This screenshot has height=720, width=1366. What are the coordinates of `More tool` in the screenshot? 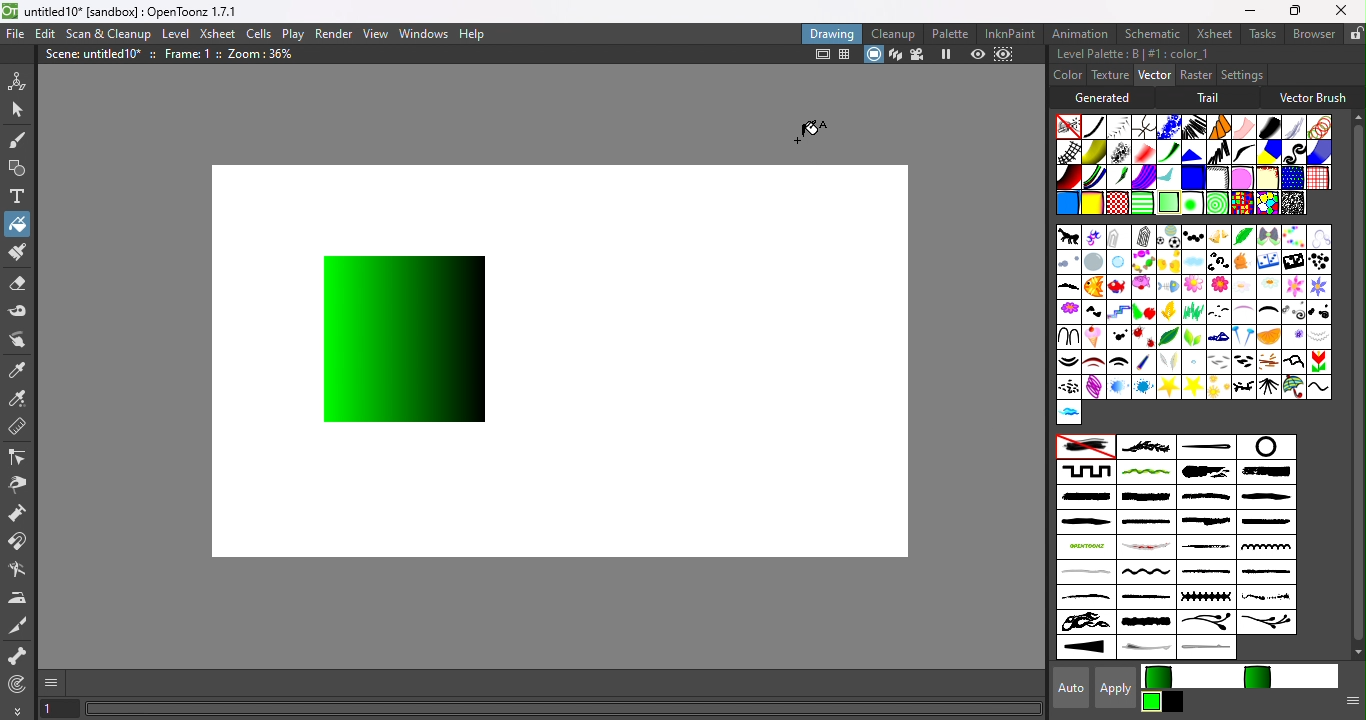 It's located at (18, 710).